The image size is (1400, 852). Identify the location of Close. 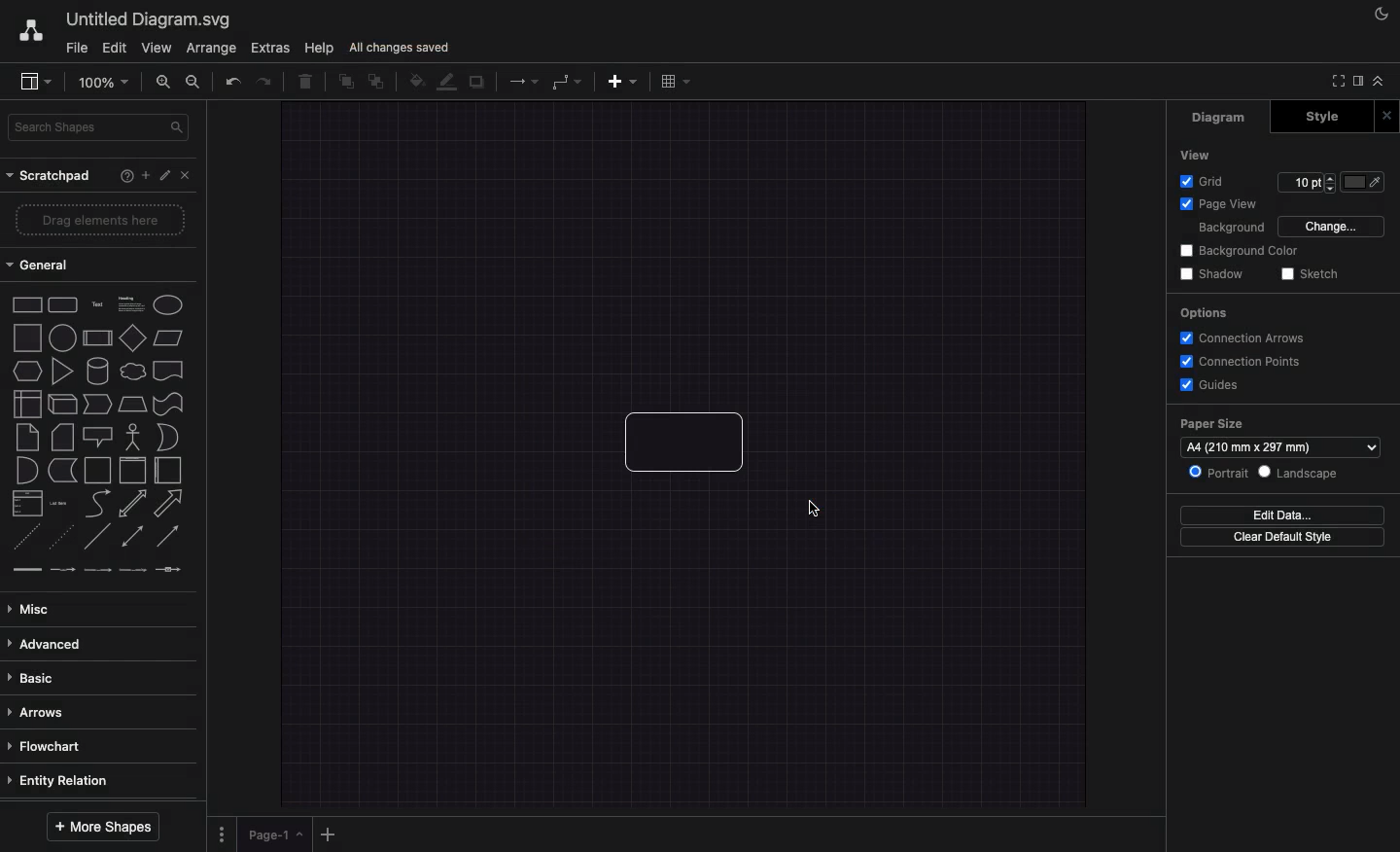
(1387, 117).